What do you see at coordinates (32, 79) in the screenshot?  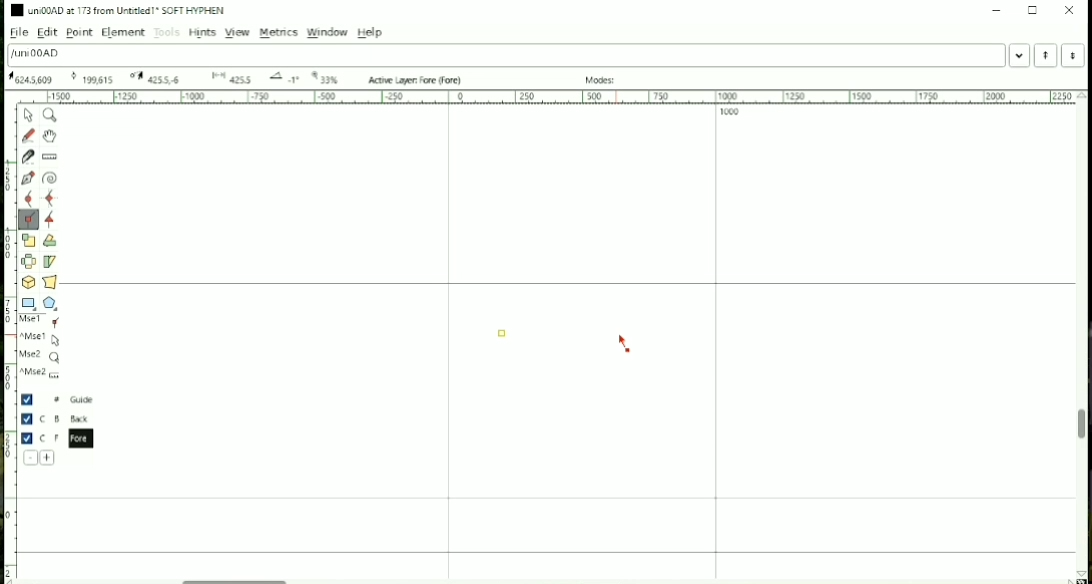 I see `173 Oxad U+00AD "uni00AD" SOFT HYPHEN` at bounding box center [32, 79].